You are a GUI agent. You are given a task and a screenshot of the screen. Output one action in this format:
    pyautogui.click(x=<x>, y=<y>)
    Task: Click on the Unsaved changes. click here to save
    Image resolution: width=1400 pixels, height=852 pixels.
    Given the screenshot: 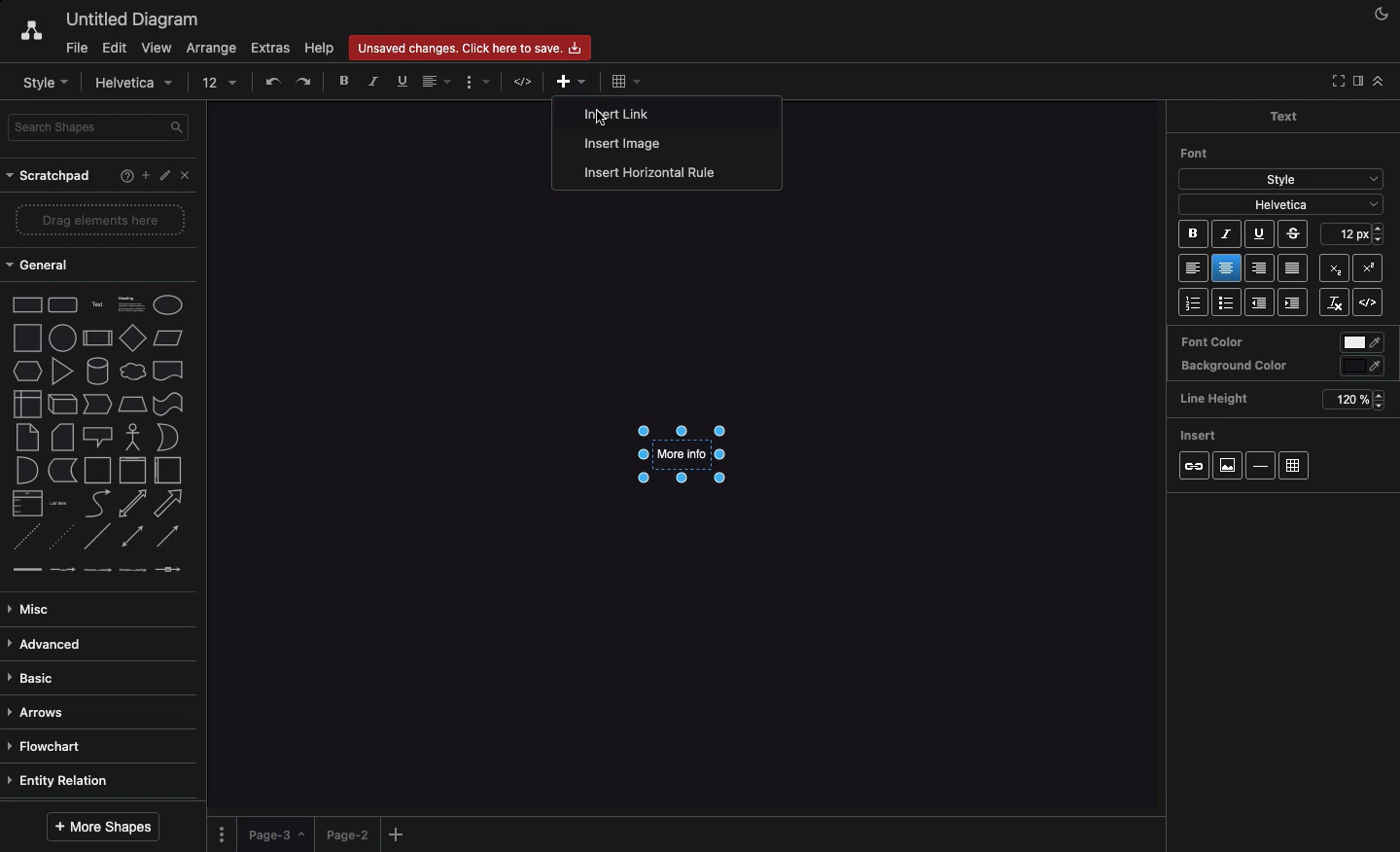 What is the action you would take?
    pyautogui.click(x=468, y=47)
    